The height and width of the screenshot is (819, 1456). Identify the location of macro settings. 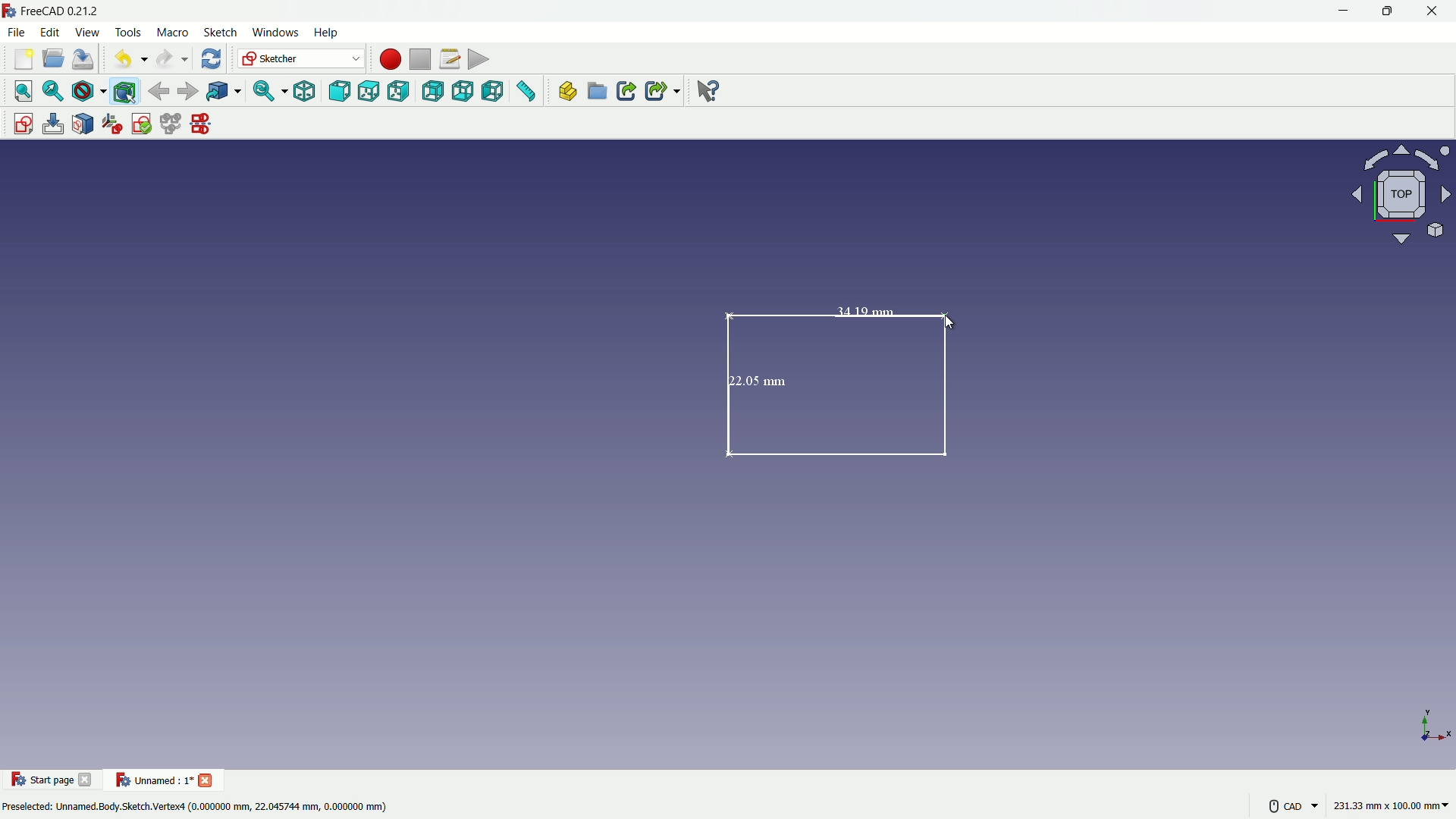
(445, 60).